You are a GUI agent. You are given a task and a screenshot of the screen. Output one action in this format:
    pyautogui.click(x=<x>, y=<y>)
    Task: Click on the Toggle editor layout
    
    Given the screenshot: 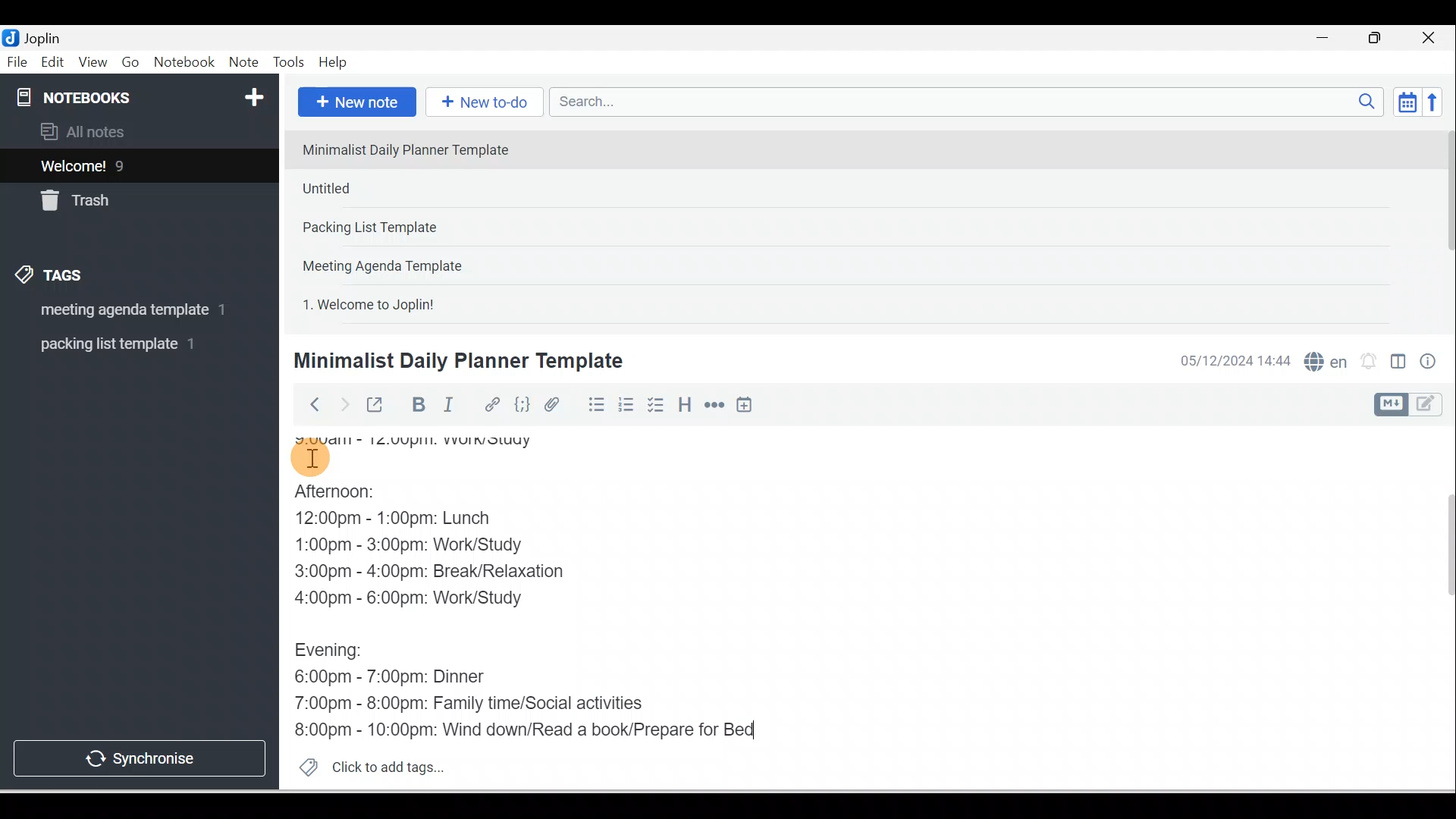 What is the action you would take?
    pyautogui.click(x=1414, y=405)
    